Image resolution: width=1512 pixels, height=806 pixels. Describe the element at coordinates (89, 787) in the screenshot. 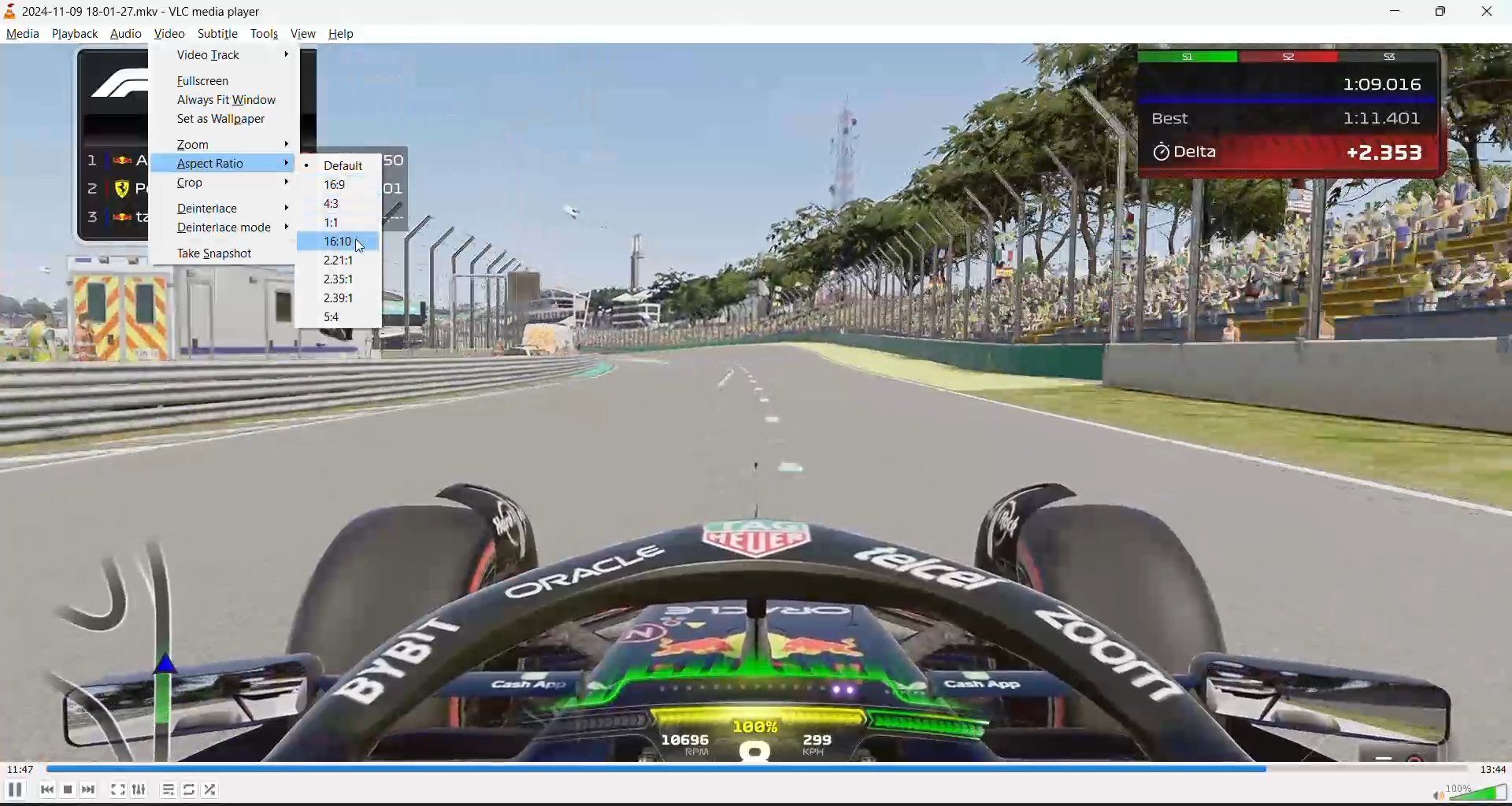

I see `next` at that location.